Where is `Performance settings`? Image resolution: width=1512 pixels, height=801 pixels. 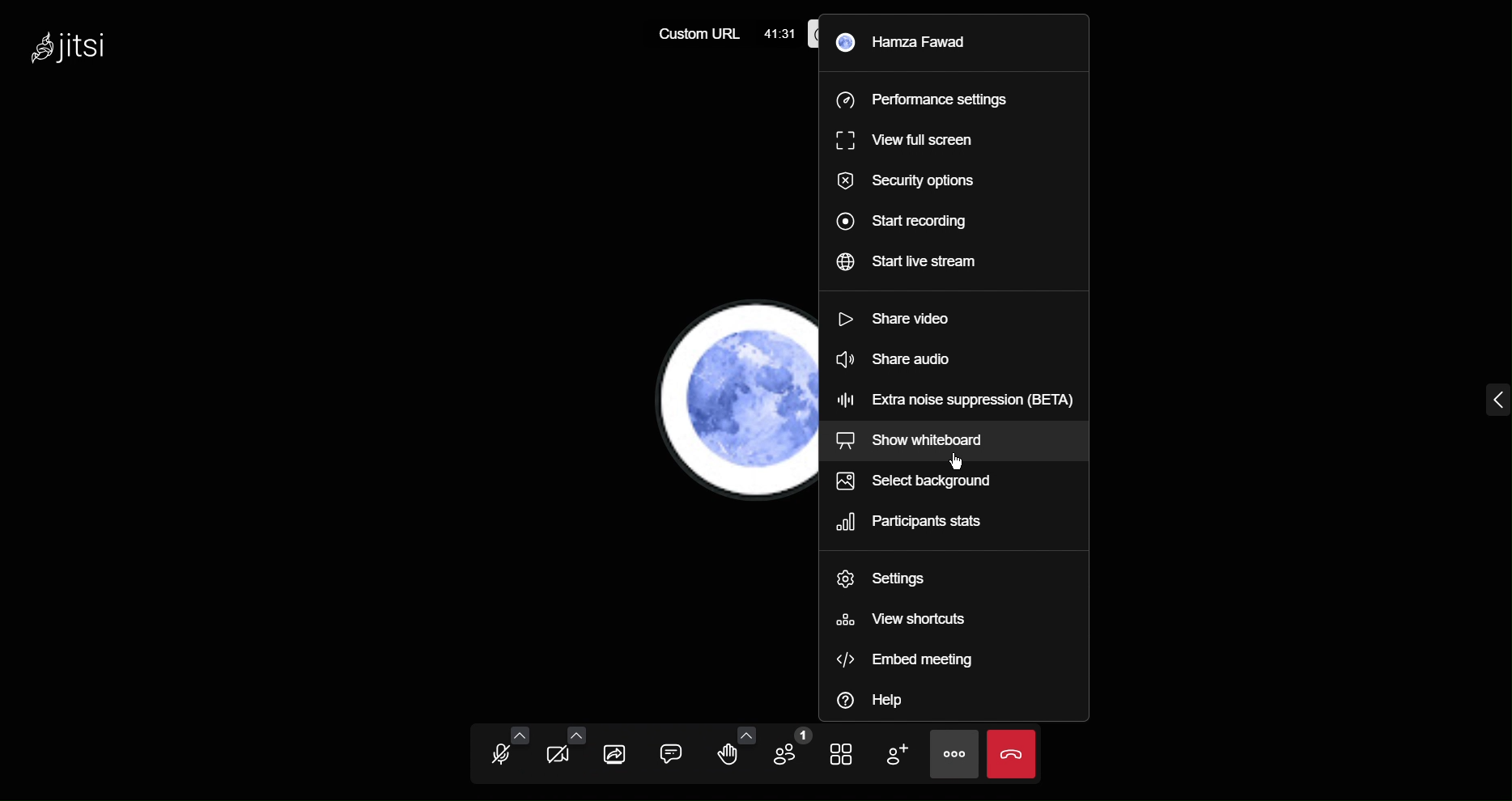
Performance settings is located at coordinates (922, 99).